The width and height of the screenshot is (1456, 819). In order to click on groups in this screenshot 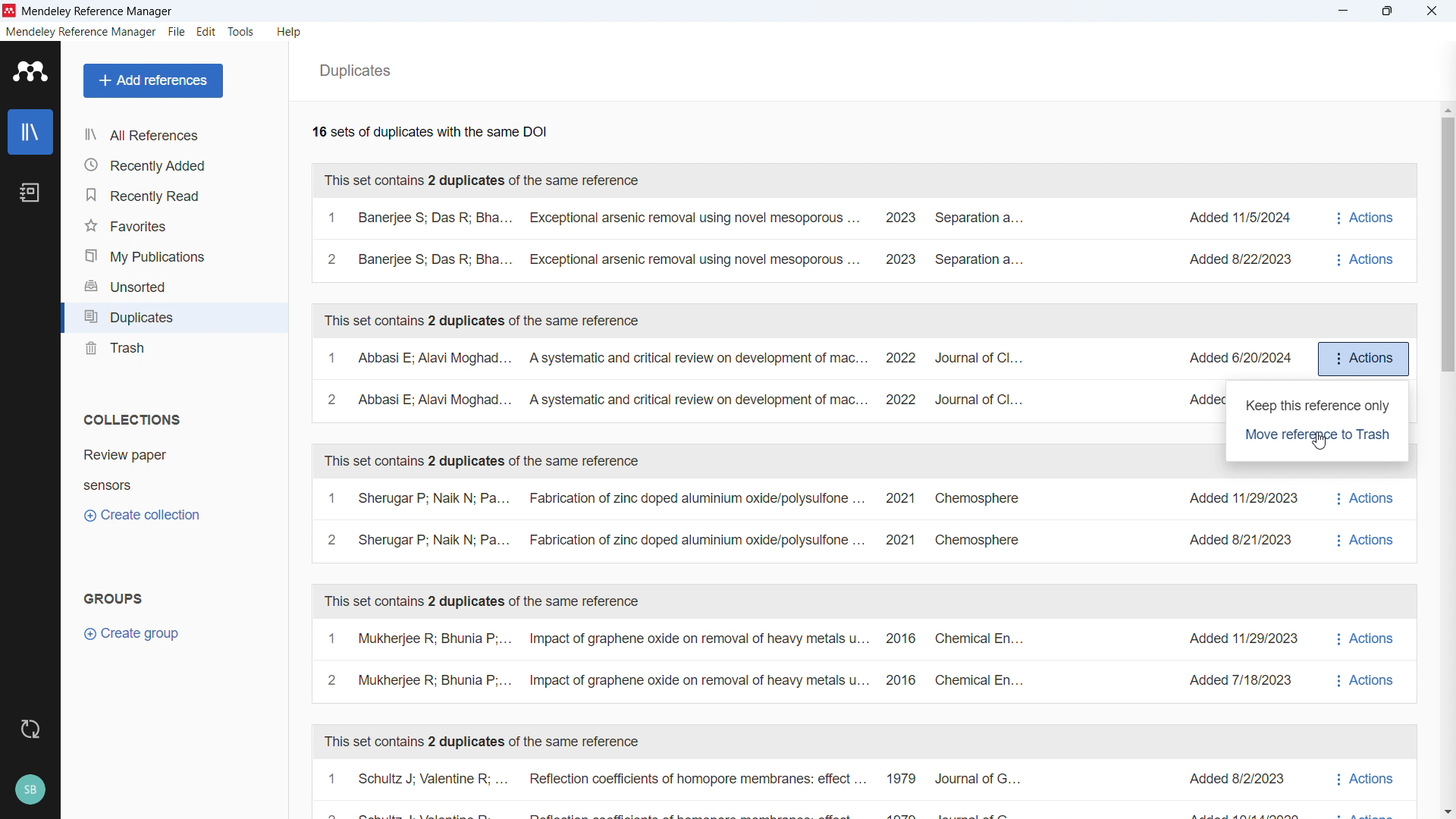, I will do `click(114, 598)`.